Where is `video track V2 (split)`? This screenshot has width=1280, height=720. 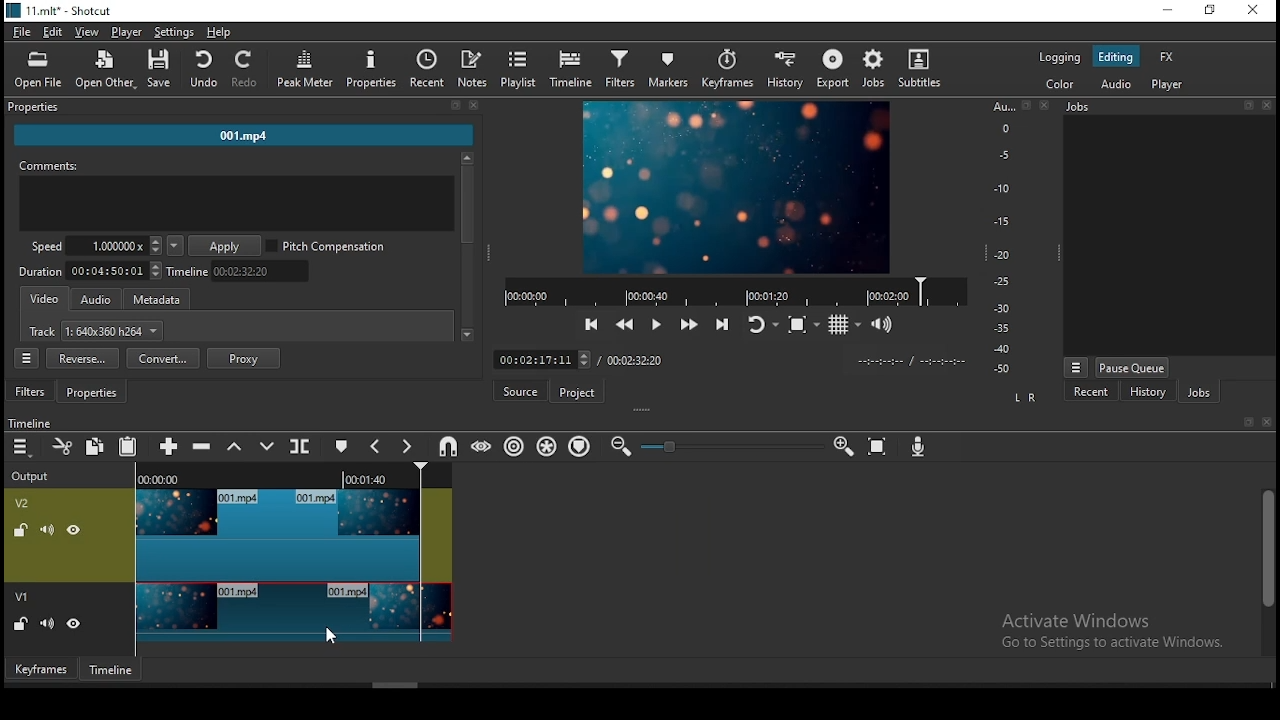 video track V2 (split) is located at coordinates (275, 534).